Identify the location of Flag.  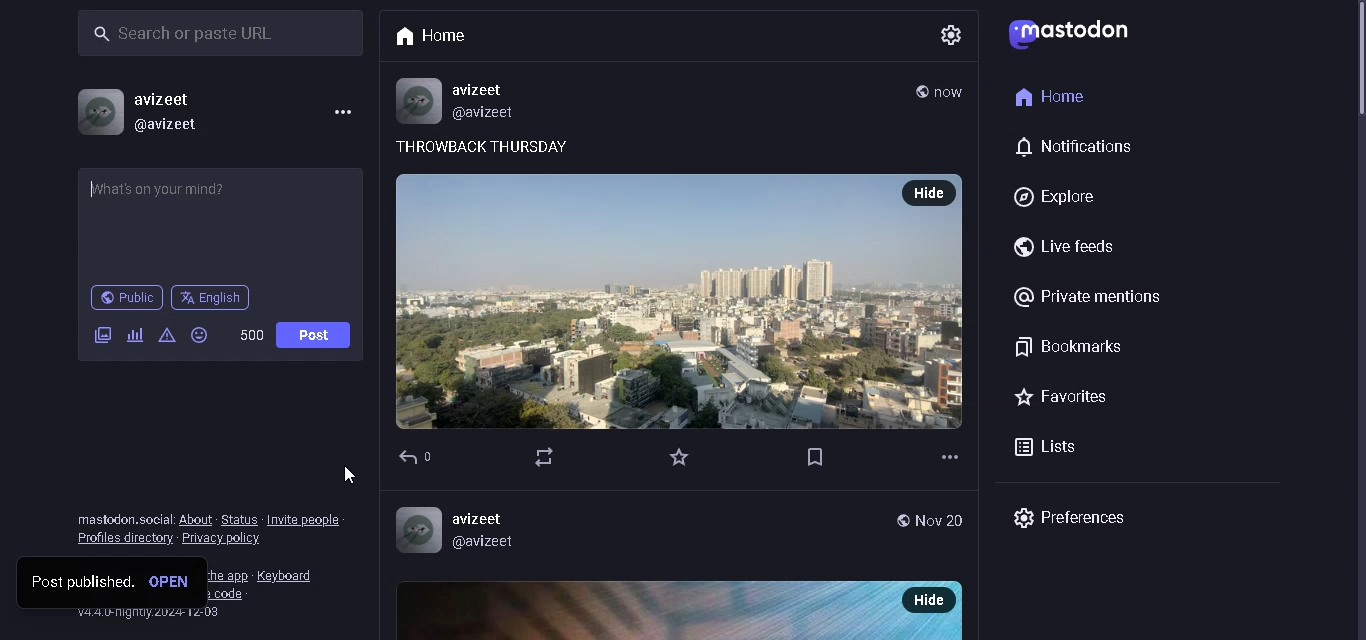
(820, 458).